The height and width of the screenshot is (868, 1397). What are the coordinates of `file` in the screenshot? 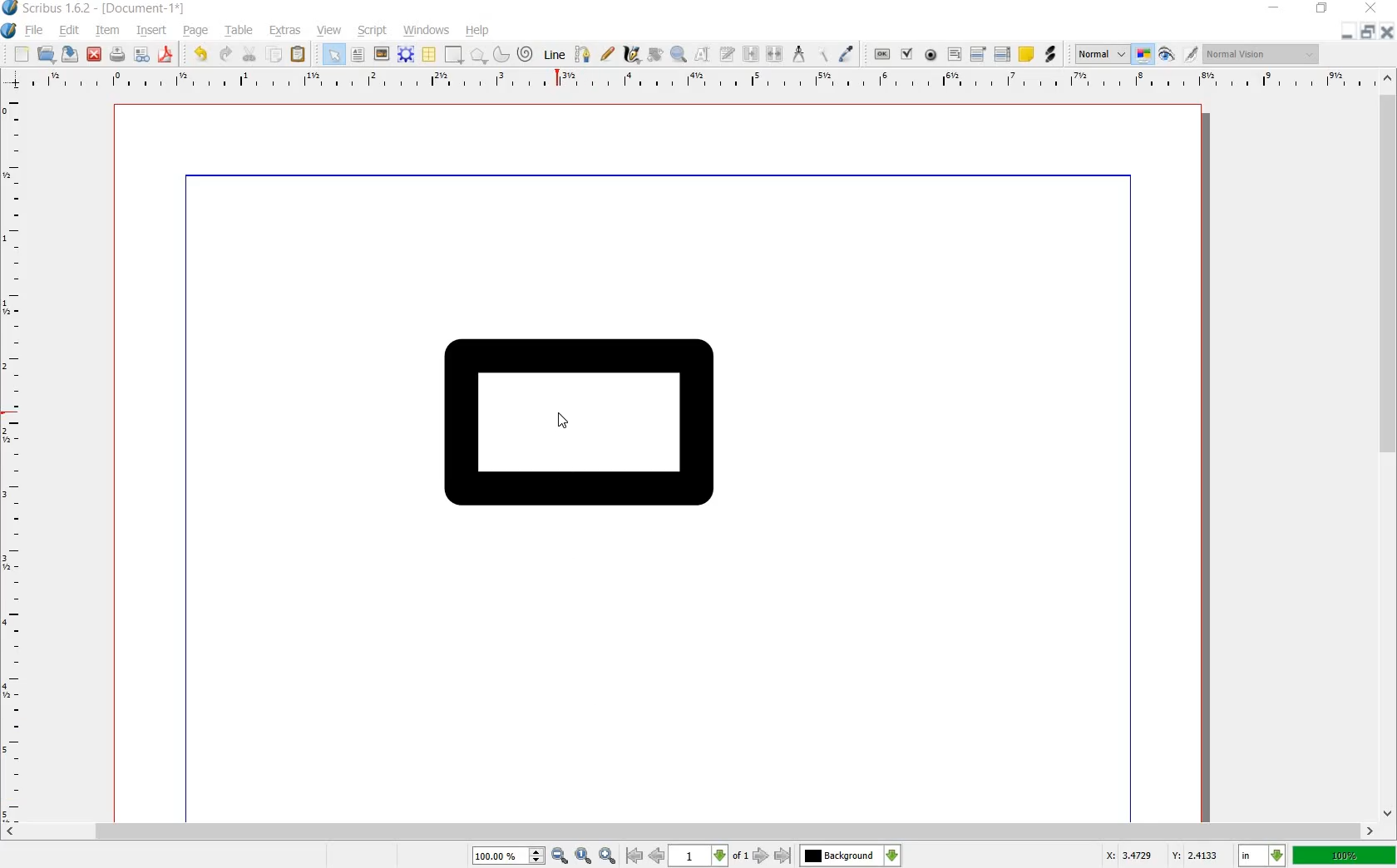 It's located at (34, 32).